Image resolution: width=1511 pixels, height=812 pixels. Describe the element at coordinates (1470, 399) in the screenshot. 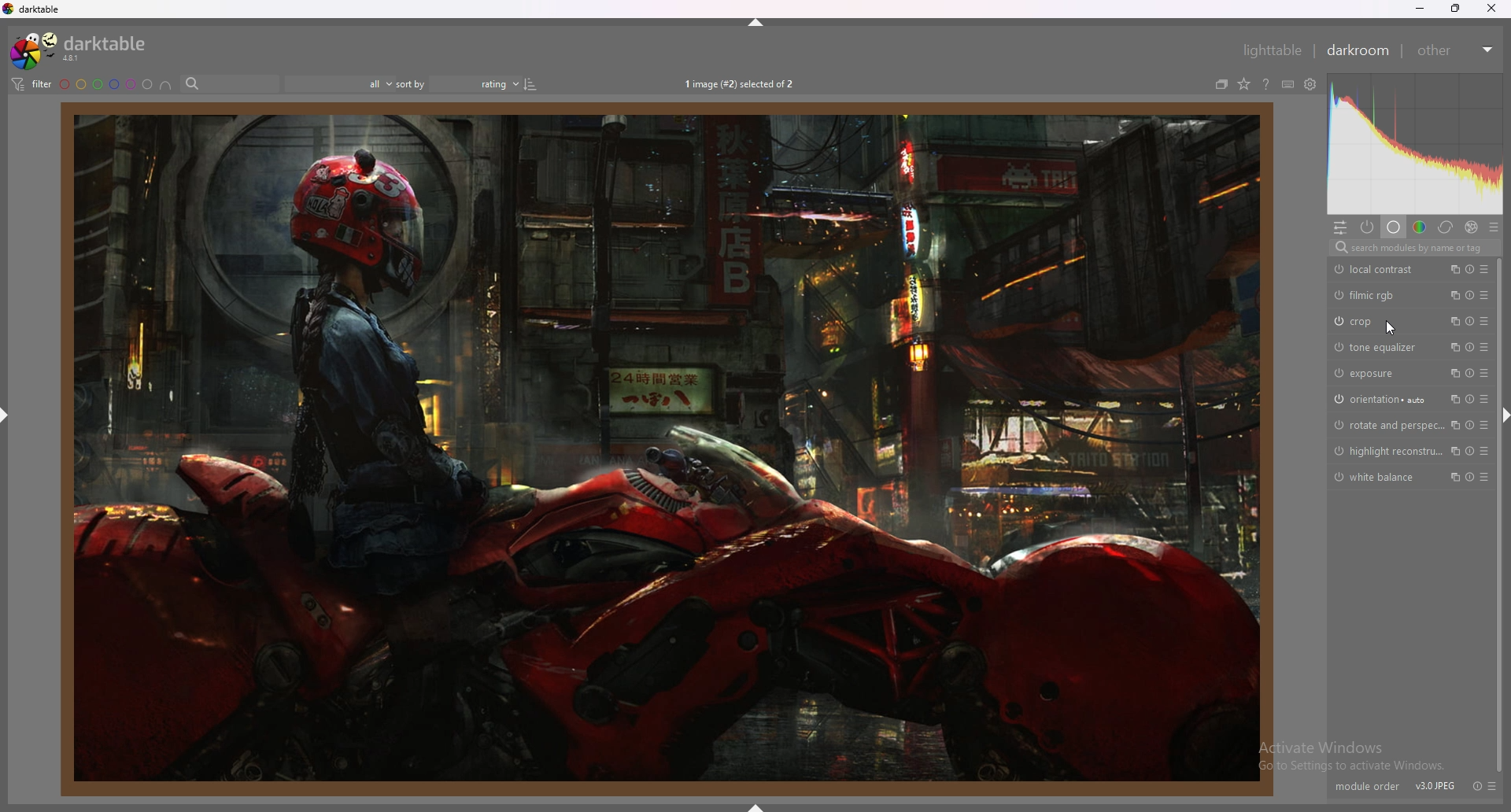

I see `reset` at that location.